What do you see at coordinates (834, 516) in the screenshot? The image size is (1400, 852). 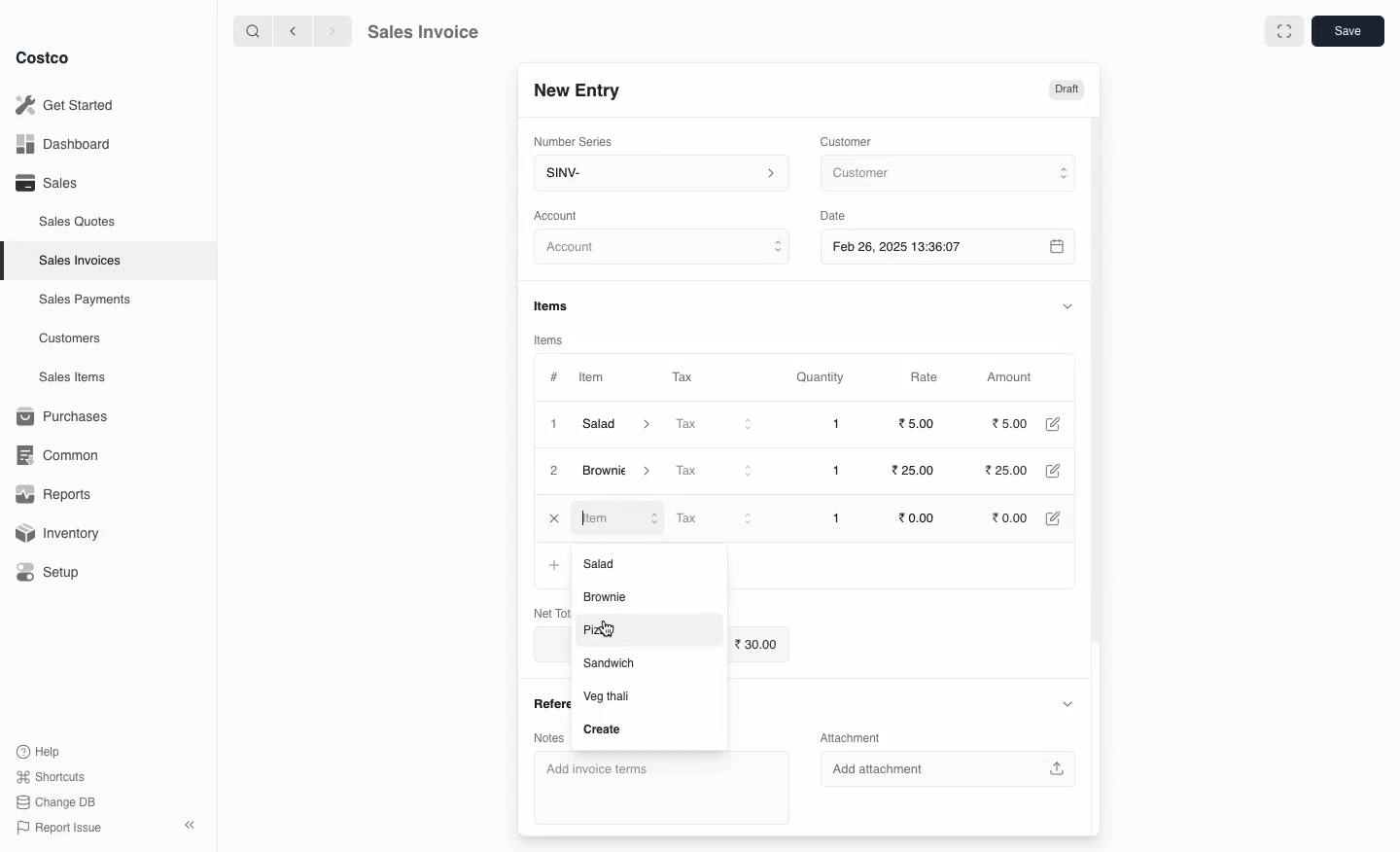 I see `1` at bounding box center [834, 516].